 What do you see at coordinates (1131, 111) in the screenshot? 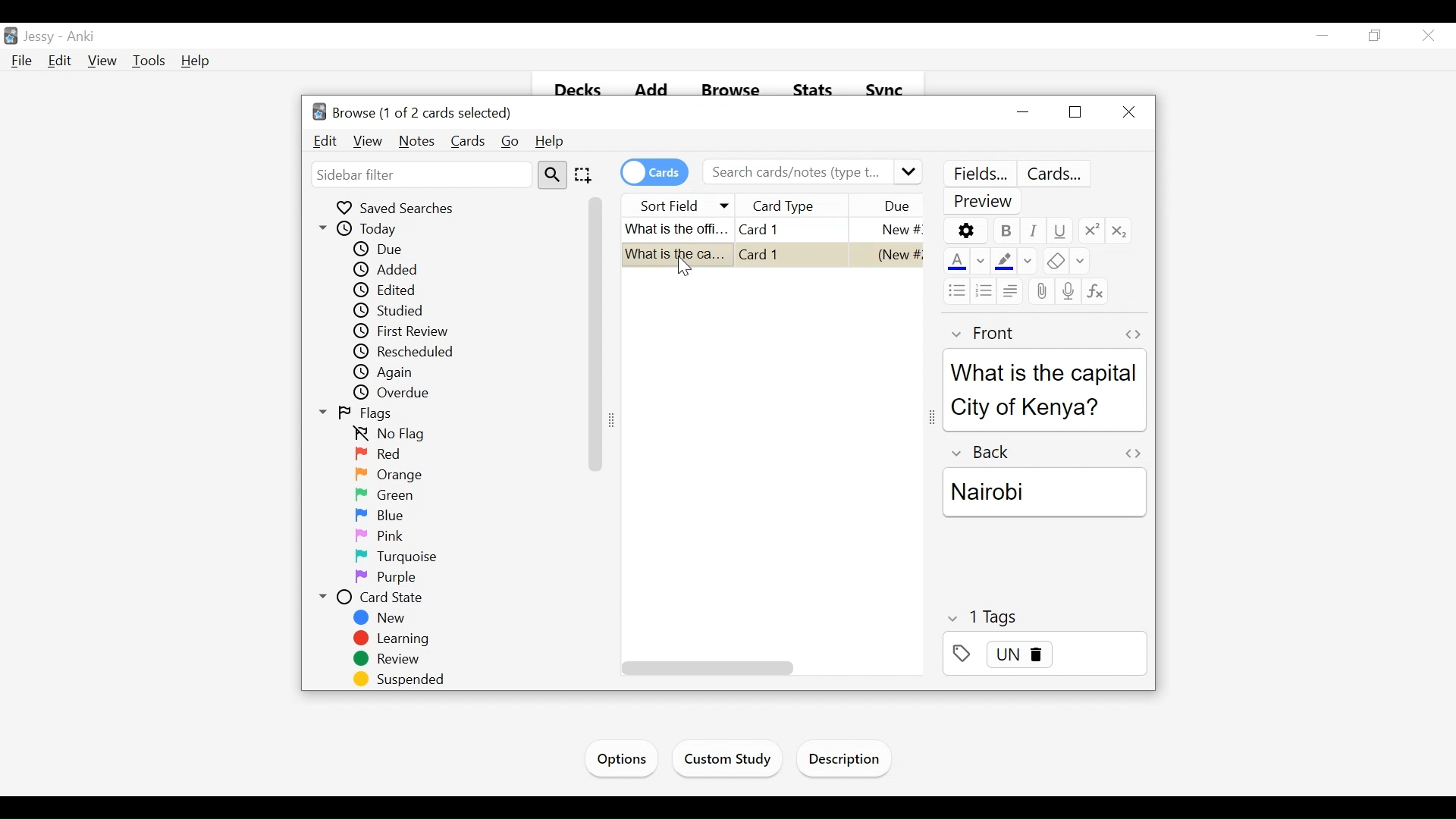
I see `Close` at bounding box center [1131, 111].